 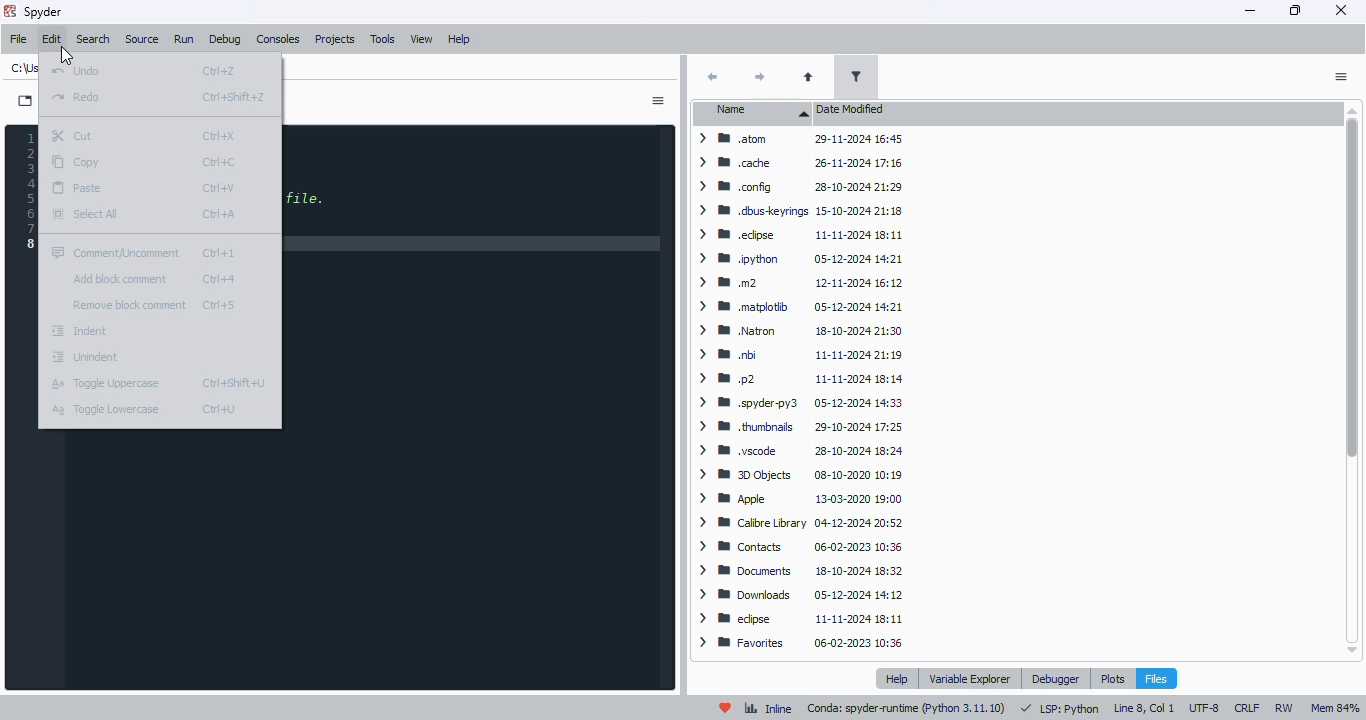 What do you see at coordinates (78, 163) in the screenshot?
I see `copy` at bounding box center [78, 163].